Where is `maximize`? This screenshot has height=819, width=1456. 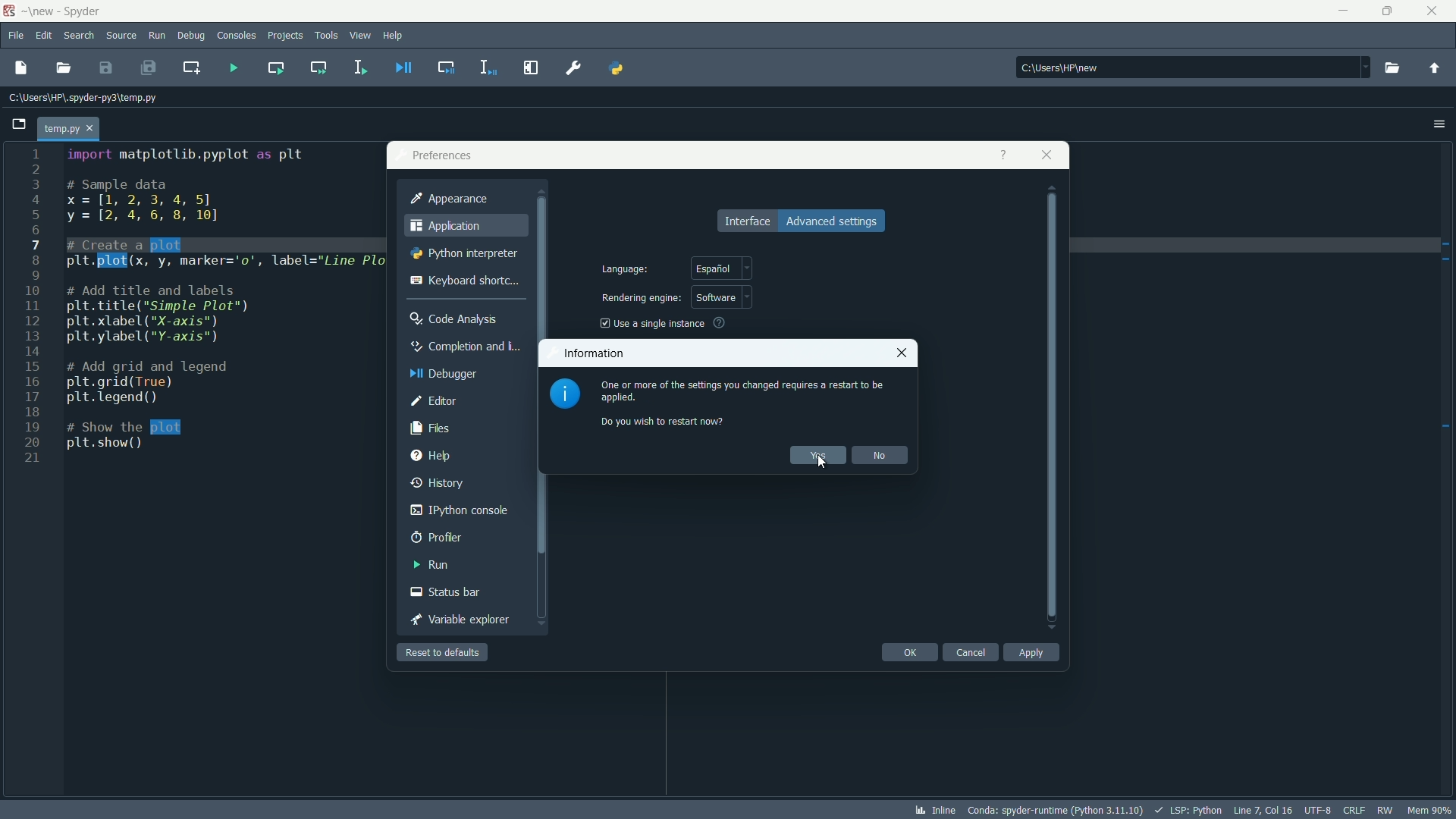
maximize is located at coordinates (1389, 11).